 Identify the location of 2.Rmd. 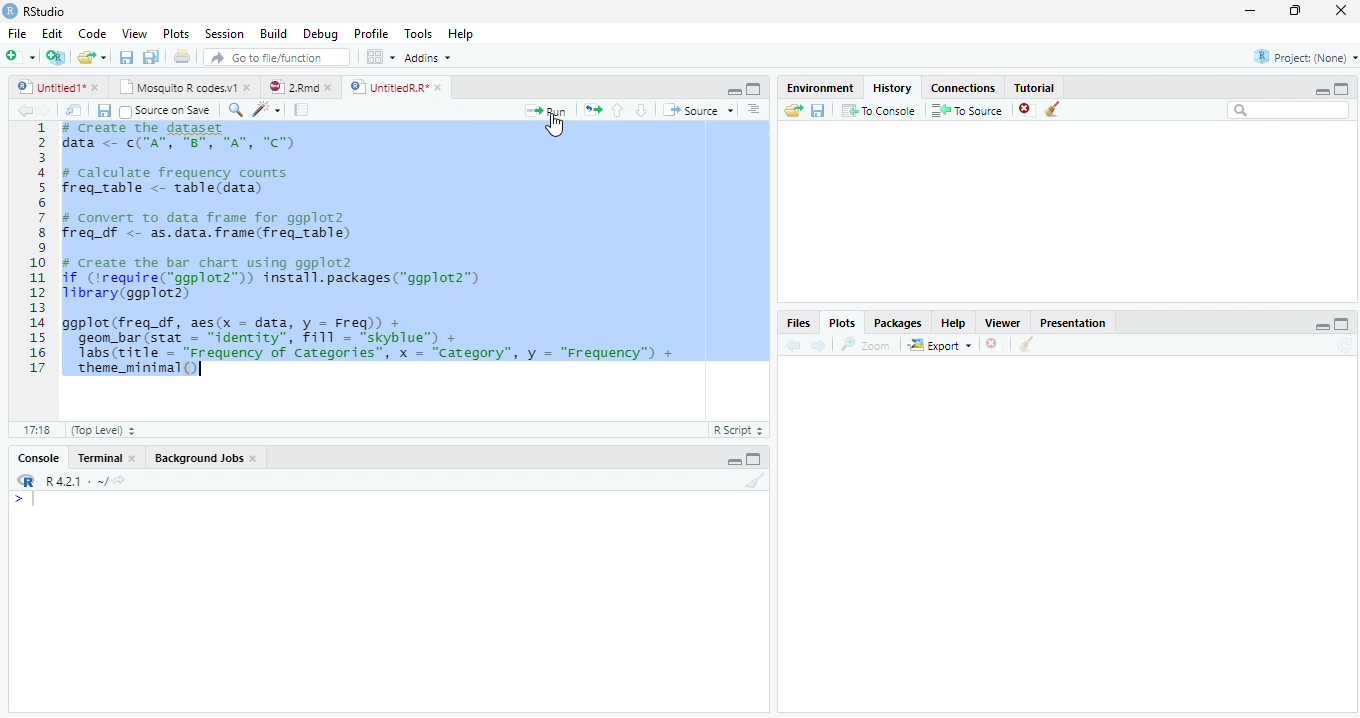
(300, 89).